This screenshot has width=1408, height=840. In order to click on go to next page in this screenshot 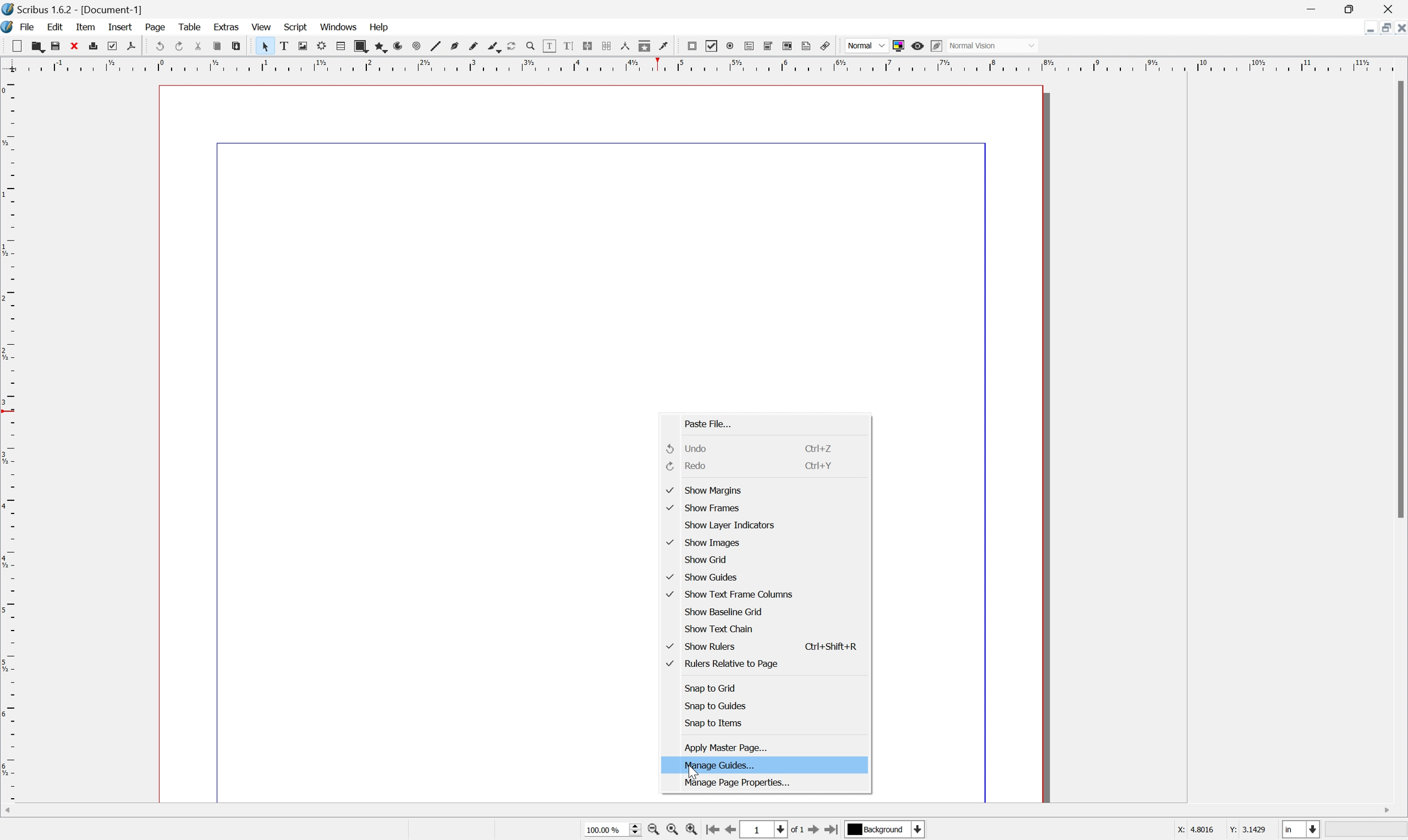, I will do `click(811, 832)`.